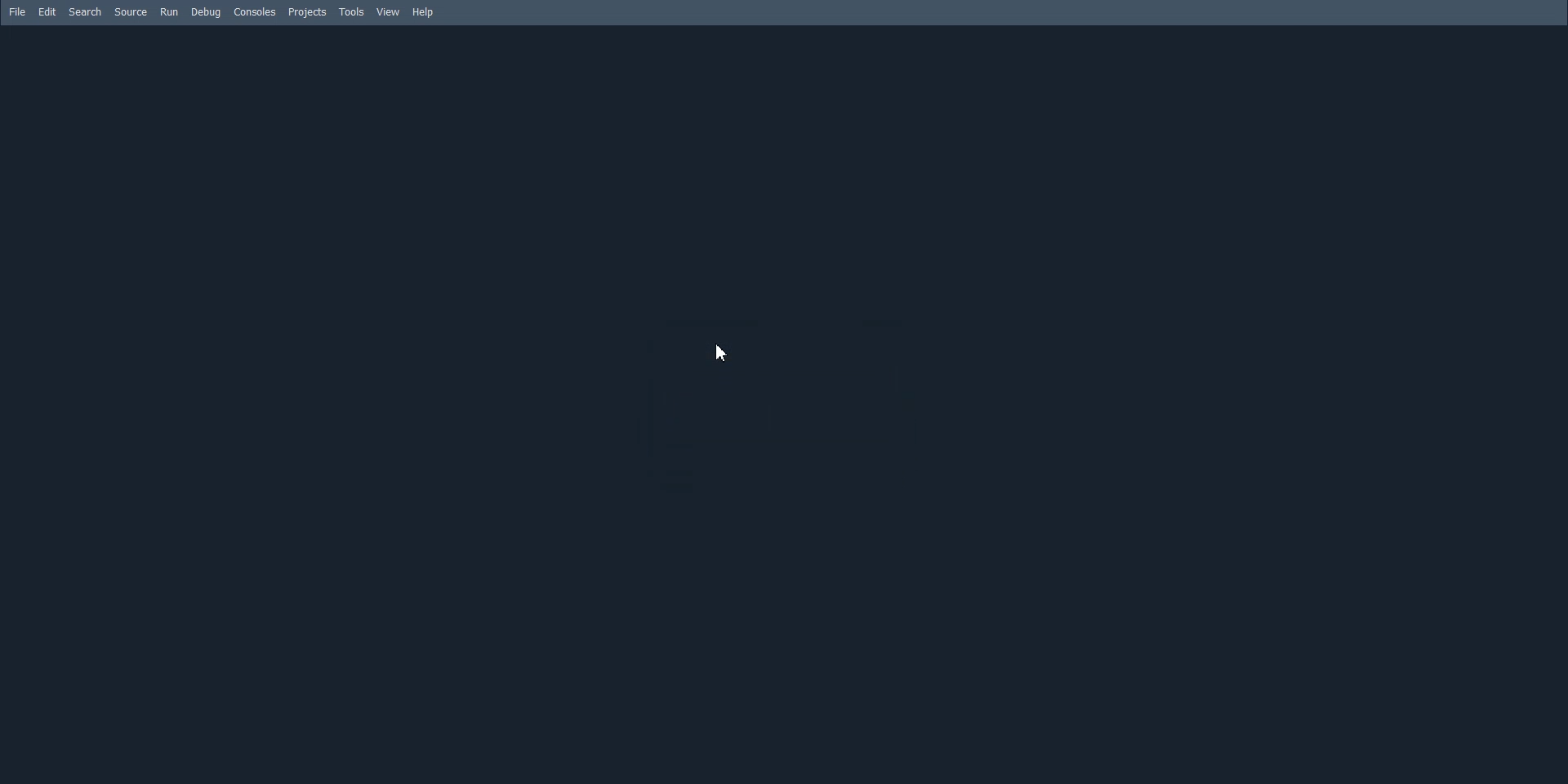  I want to click on Debug, so click(206, 12).